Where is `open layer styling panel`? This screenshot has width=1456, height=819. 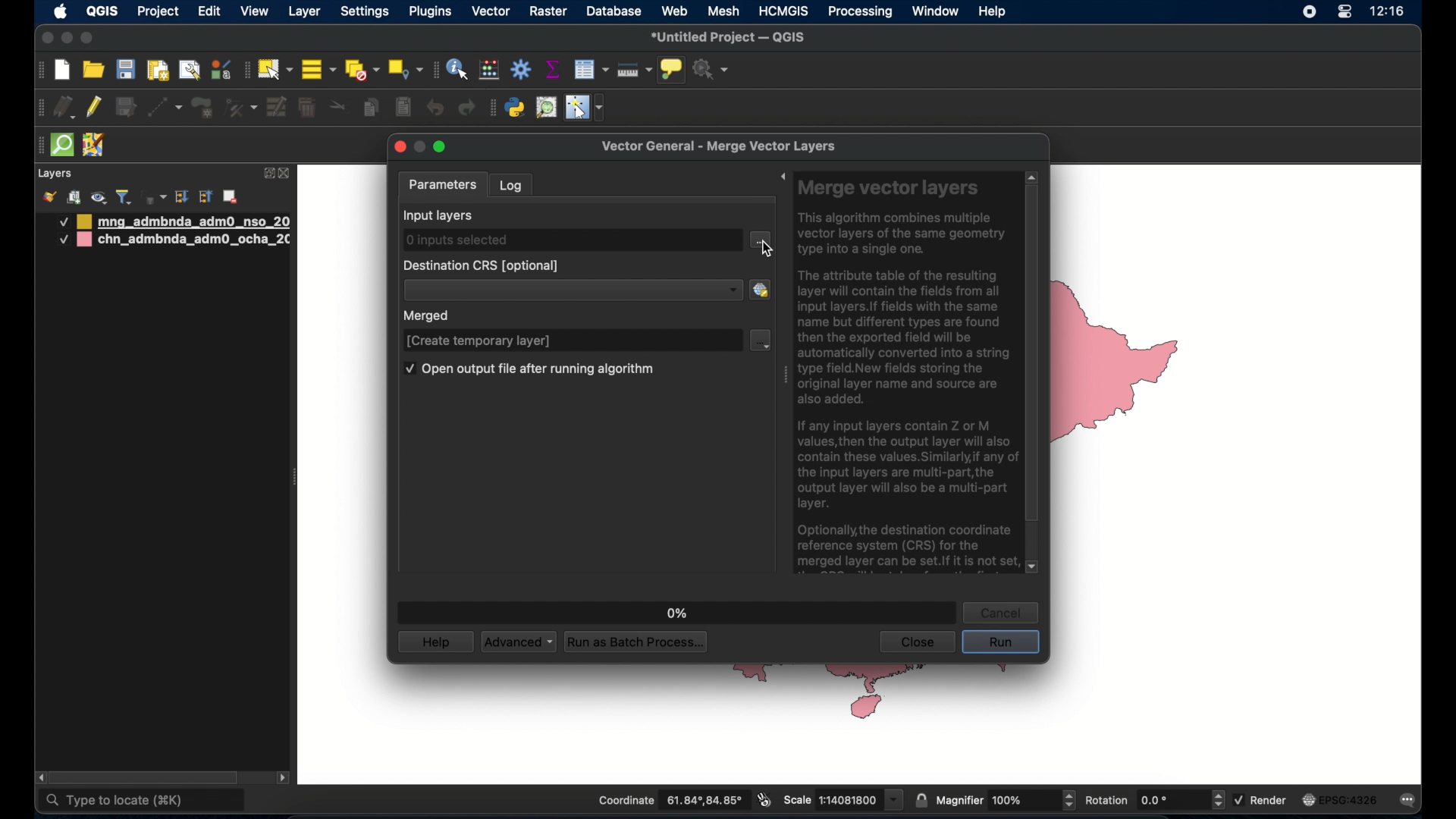
open layer styling panel is located at coordinates (49, 197).